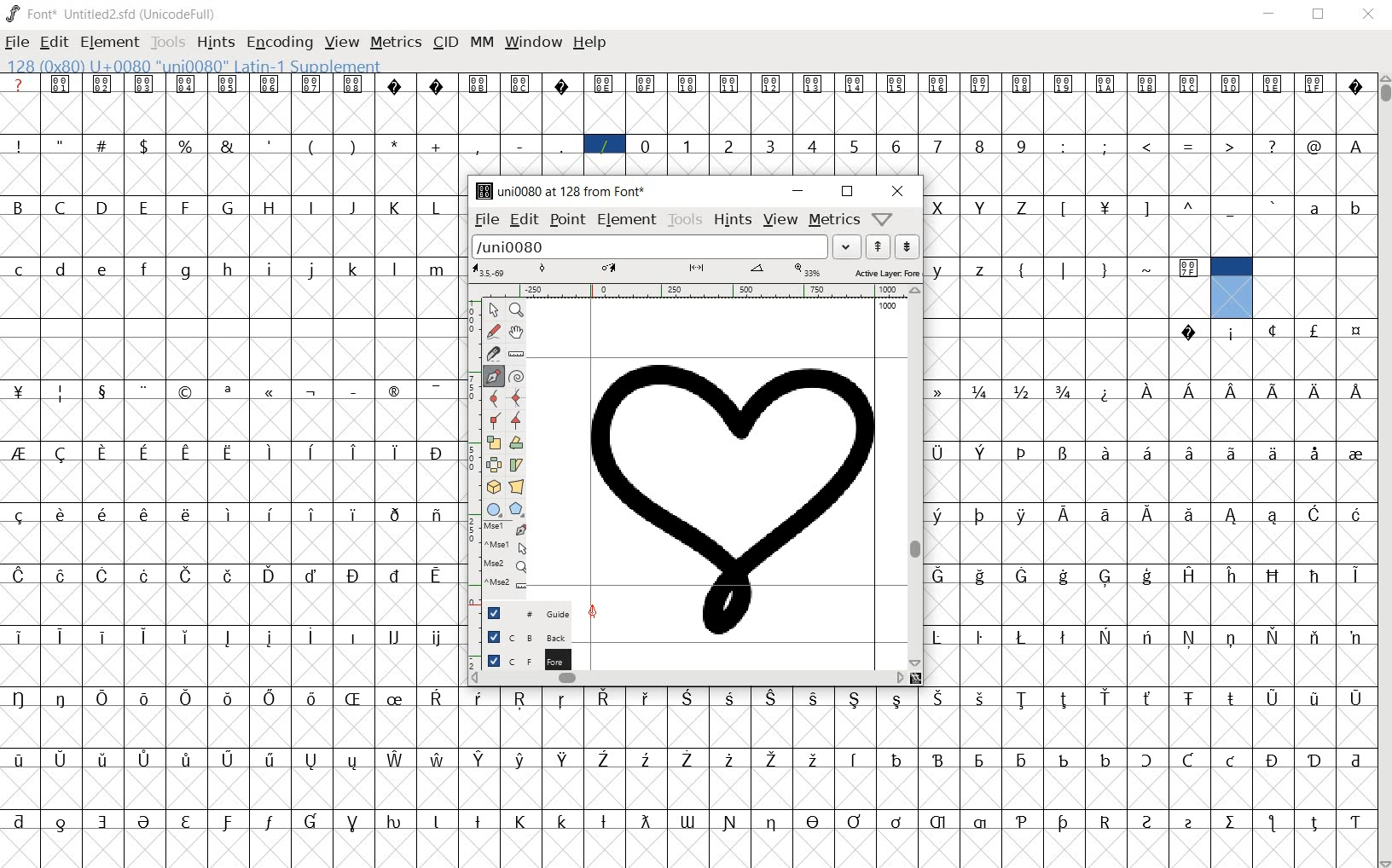  I want to click on glyph, so click(19, 516).